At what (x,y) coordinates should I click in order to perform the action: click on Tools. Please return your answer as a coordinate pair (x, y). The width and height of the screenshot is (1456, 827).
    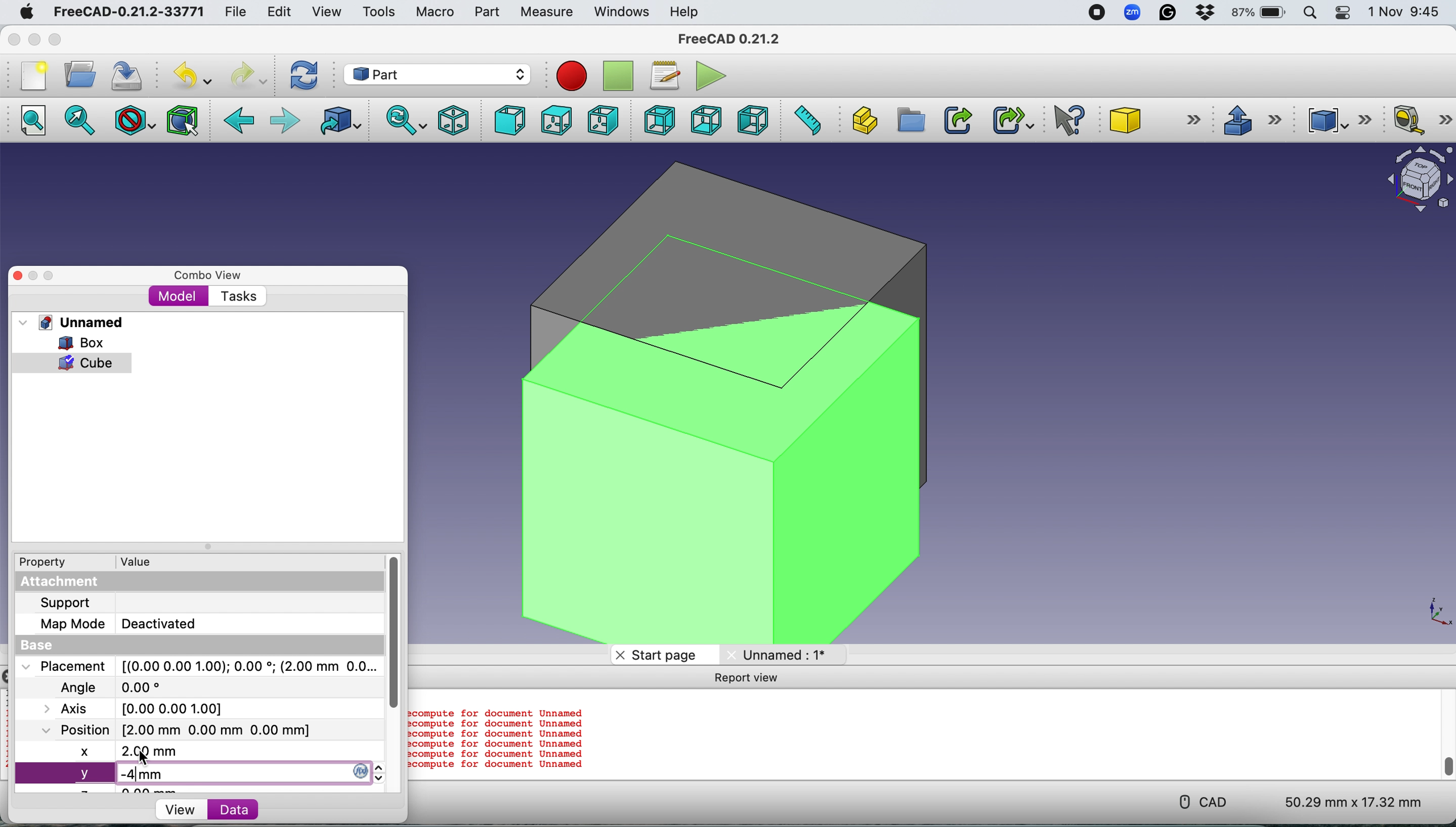
    Looking at the image, I should click on (378, 11).